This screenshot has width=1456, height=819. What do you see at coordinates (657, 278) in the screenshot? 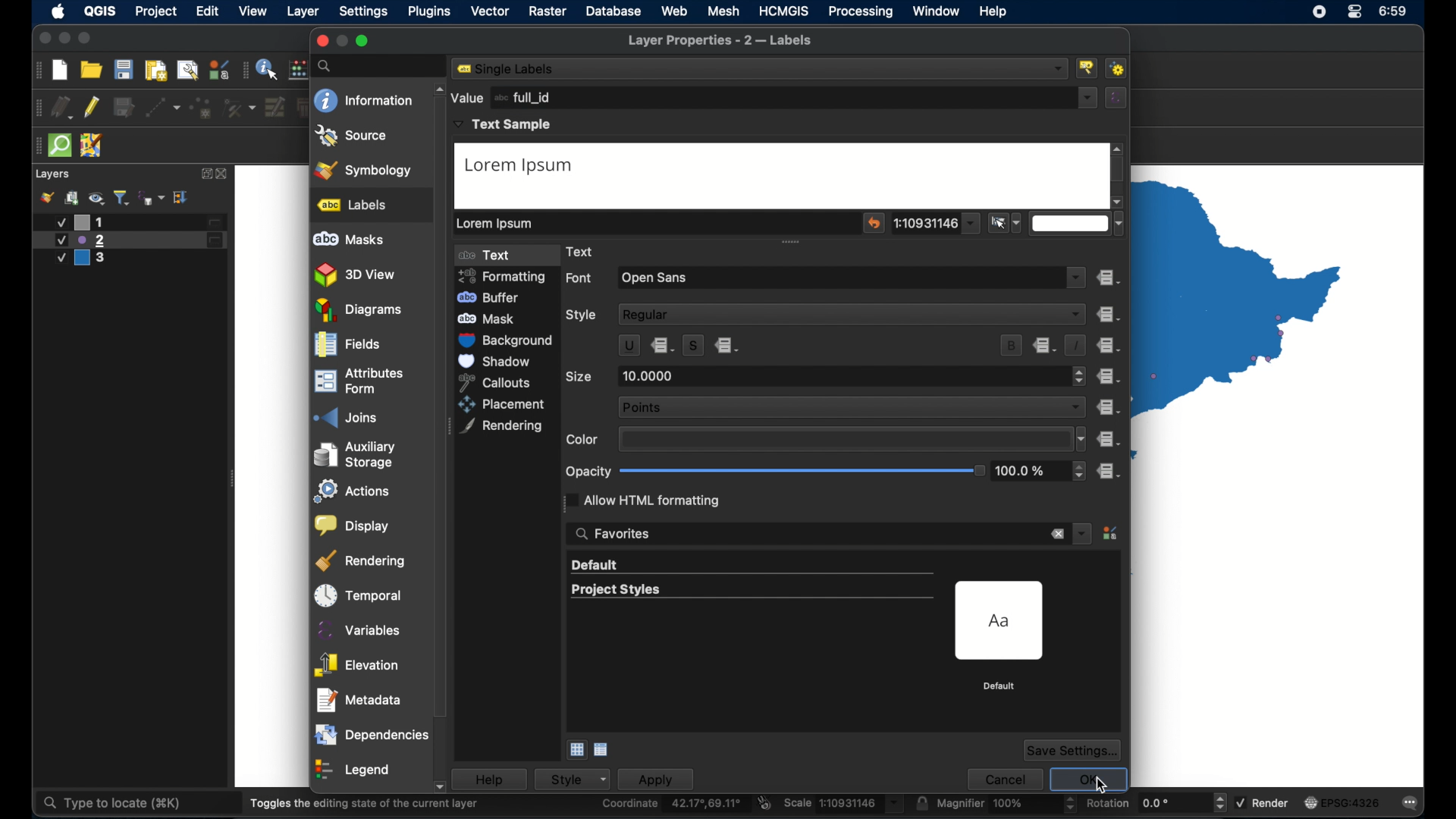
I see `open sans` at bounding box center [657, 278].